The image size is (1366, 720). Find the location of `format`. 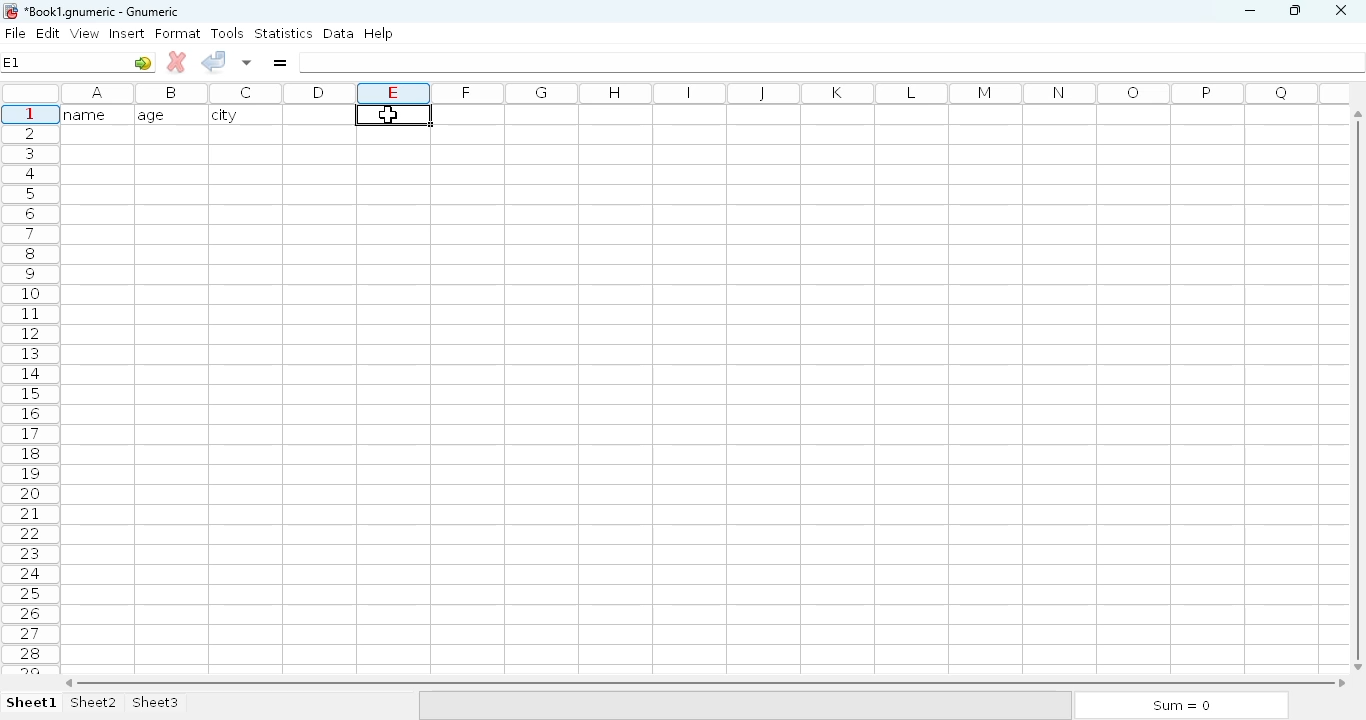

format is located at coordinates (178, 33).